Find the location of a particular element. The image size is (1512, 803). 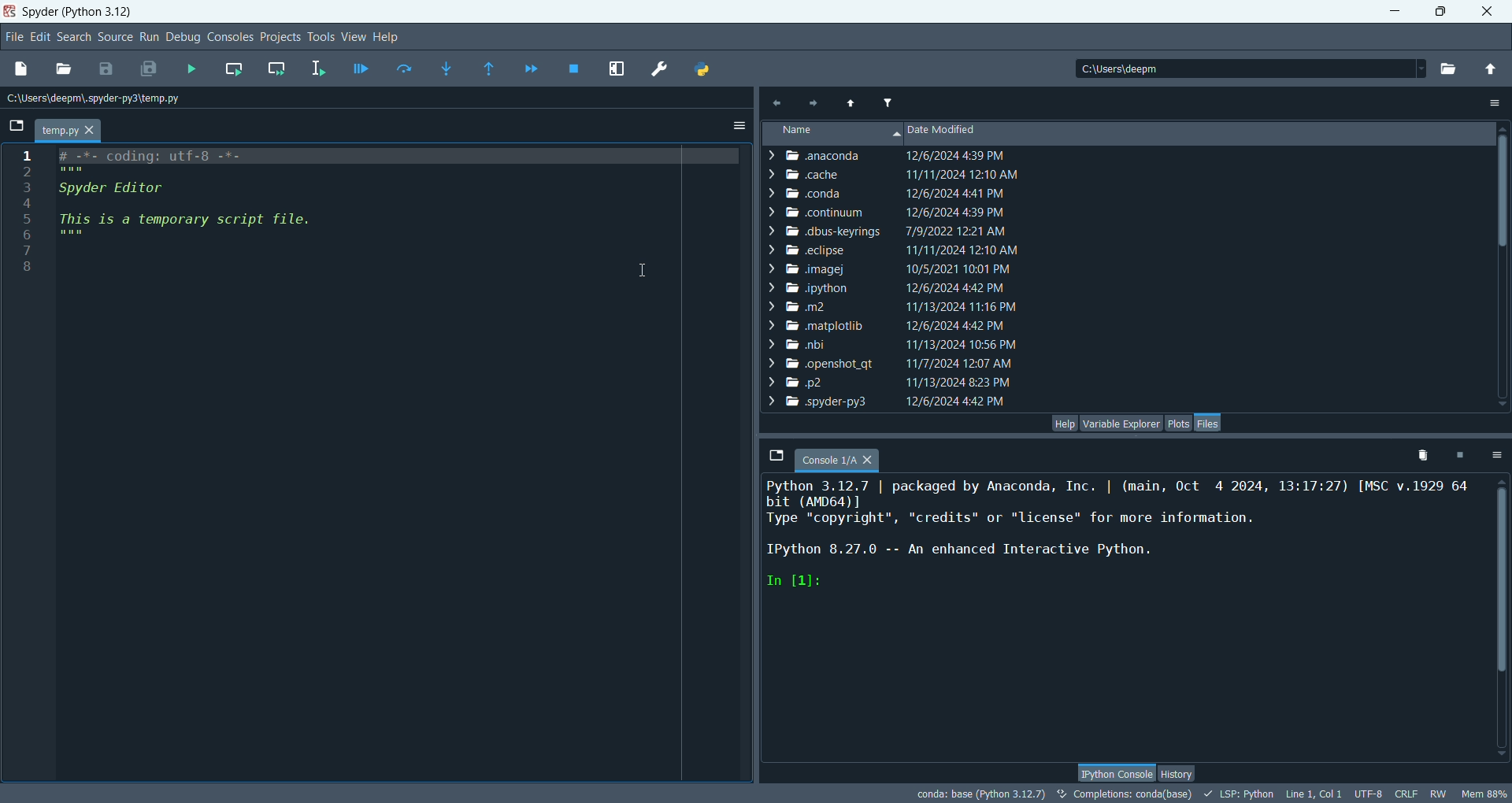

run current cell and go to next is located at coordinates (277, 68).